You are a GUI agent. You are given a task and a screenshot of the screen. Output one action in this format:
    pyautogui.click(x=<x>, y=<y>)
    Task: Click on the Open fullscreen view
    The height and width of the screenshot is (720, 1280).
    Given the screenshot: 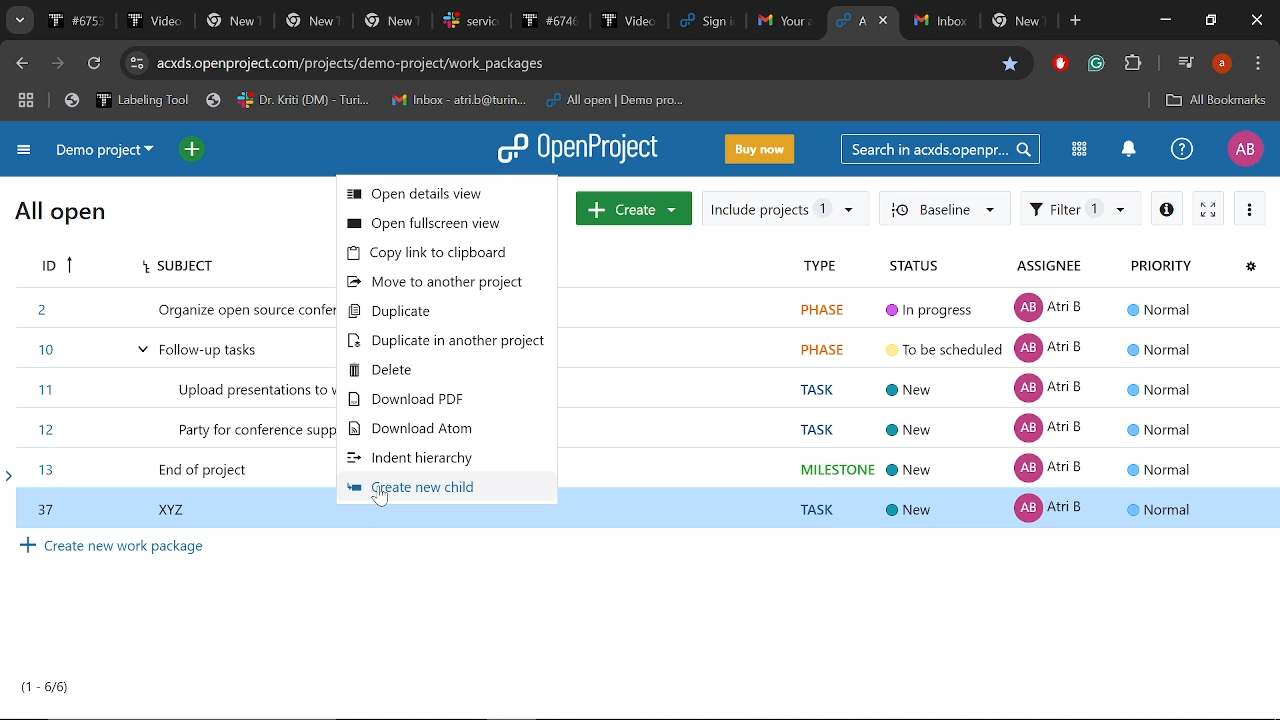 What is the action you would take?
    pyautogui.click(x=446, y=224)
    